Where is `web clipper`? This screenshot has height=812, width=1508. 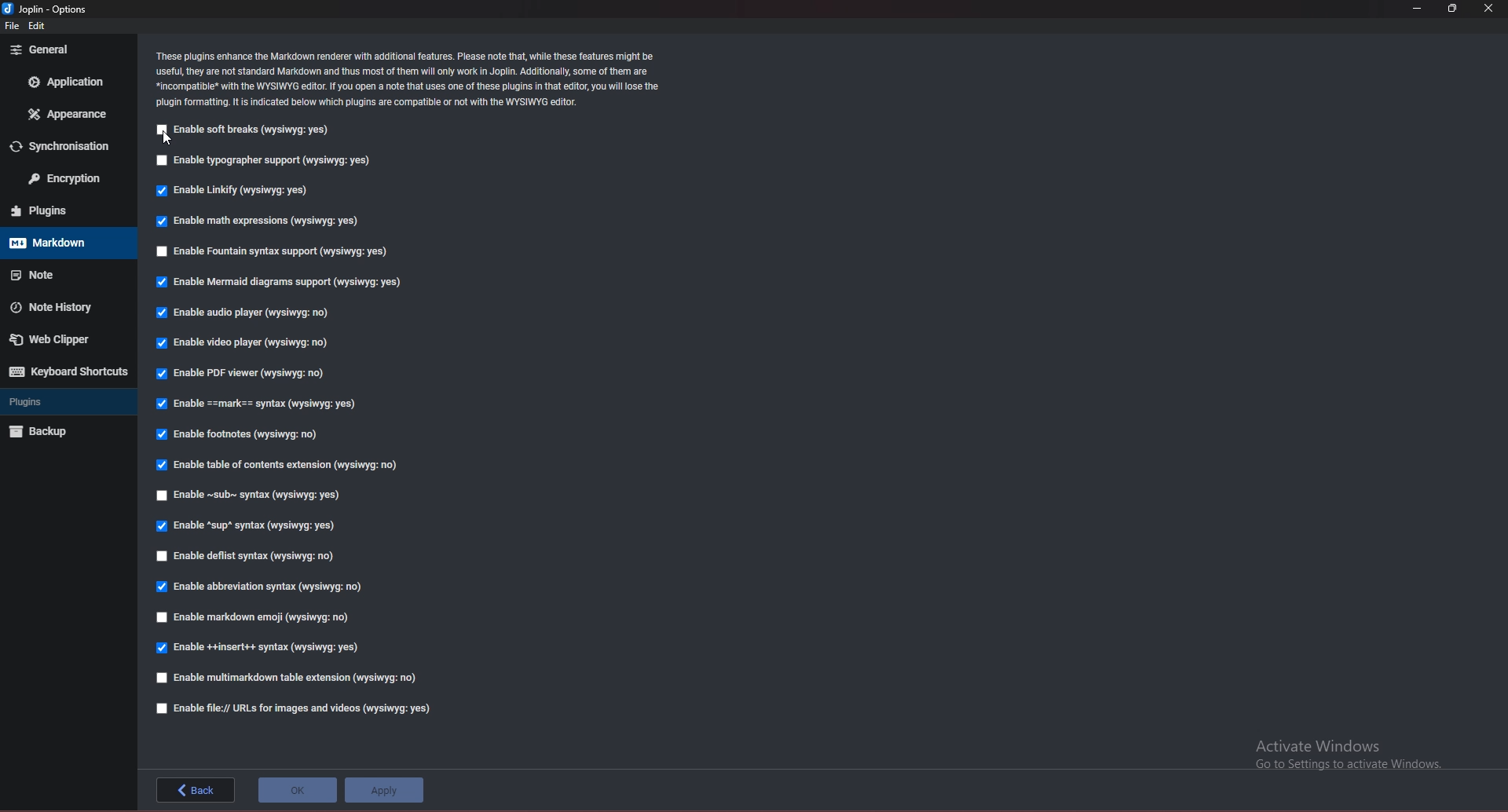
web clipper is located at coordinates (61, 338).